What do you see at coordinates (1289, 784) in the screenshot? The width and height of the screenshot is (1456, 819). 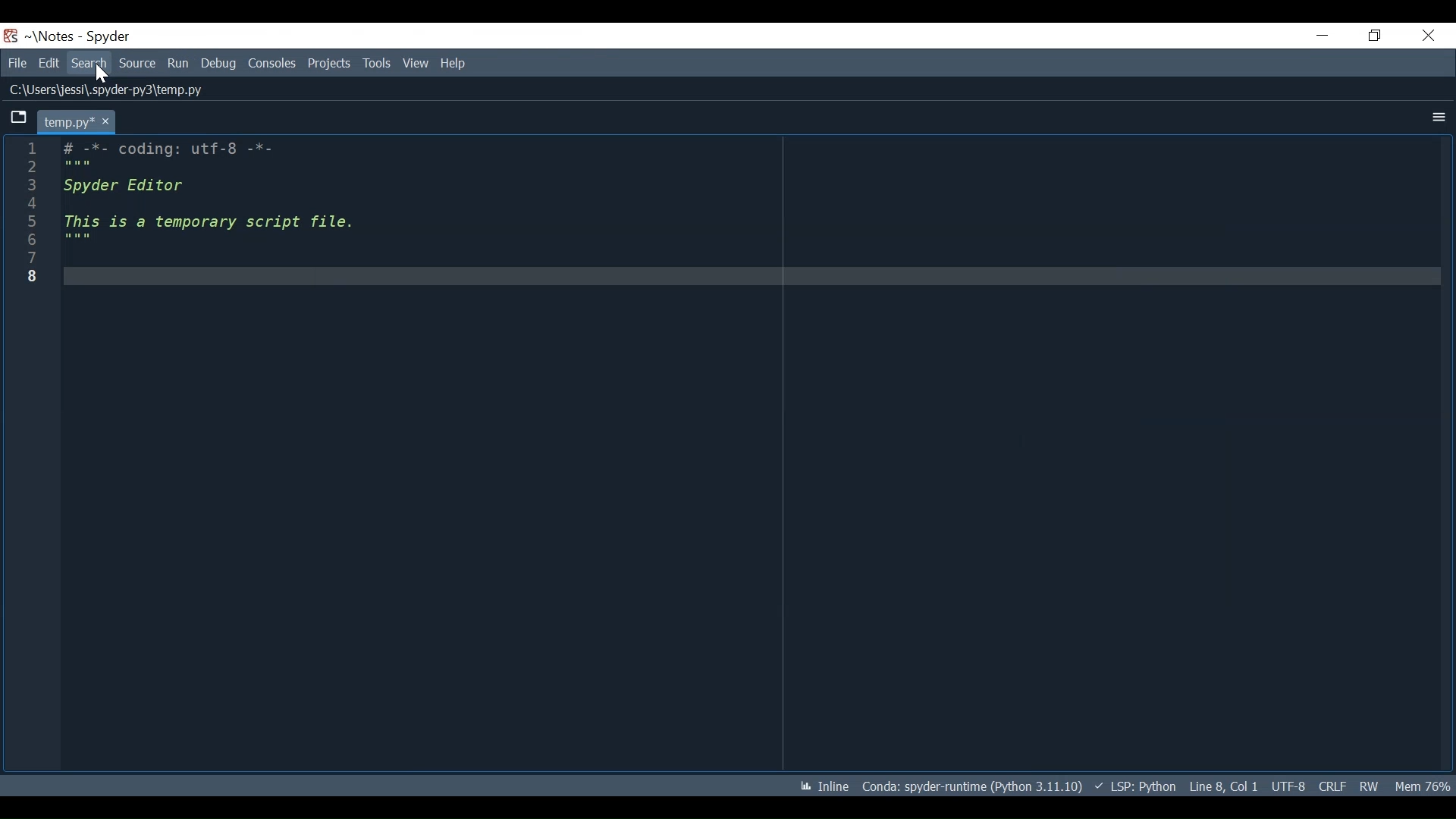 I see `File Encoding` at bounding box center [1289, 784].